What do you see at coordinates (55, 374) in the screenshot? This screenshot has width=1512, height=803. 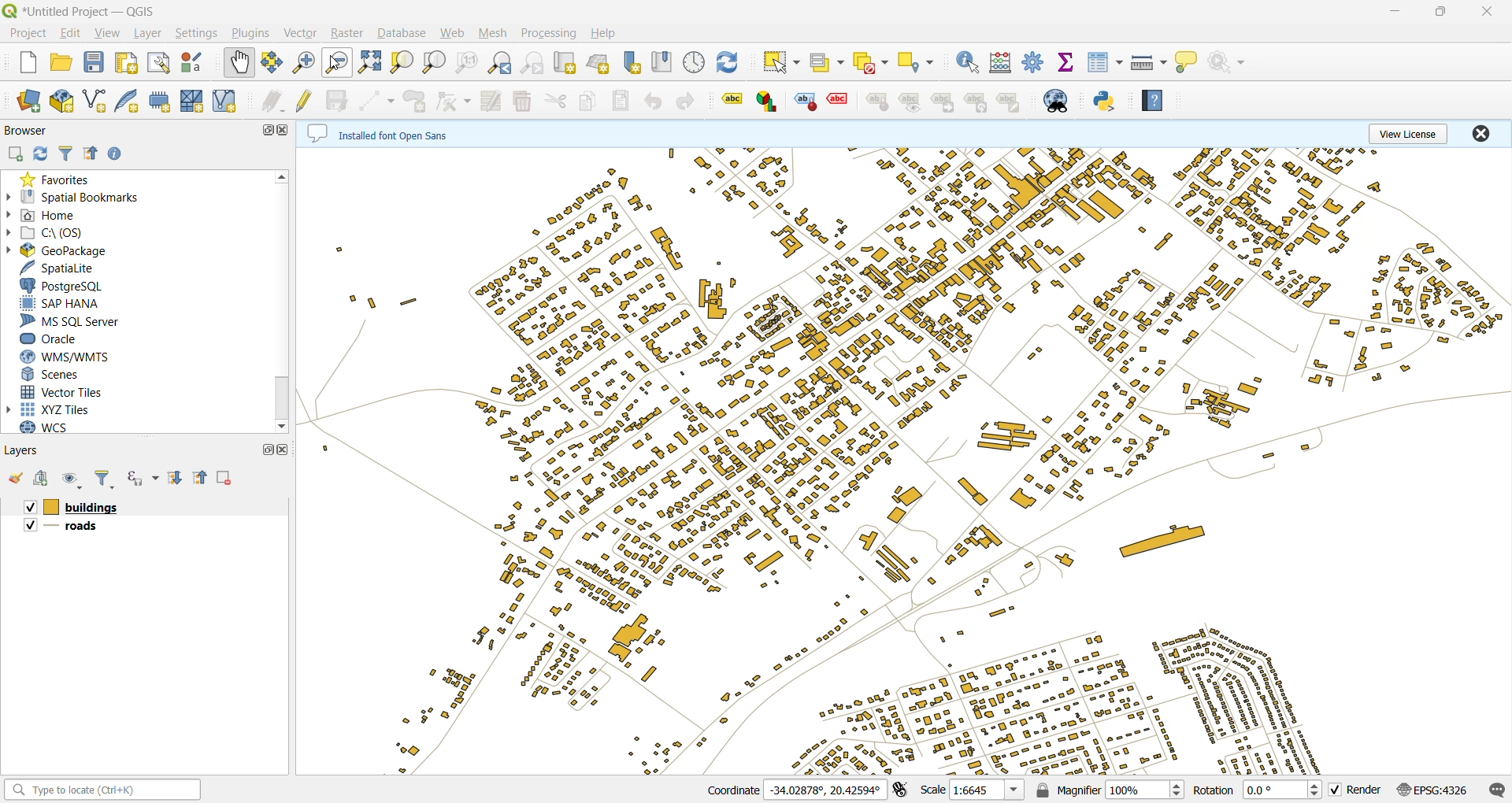 I see `scenes` at bounding box center [55, 374].